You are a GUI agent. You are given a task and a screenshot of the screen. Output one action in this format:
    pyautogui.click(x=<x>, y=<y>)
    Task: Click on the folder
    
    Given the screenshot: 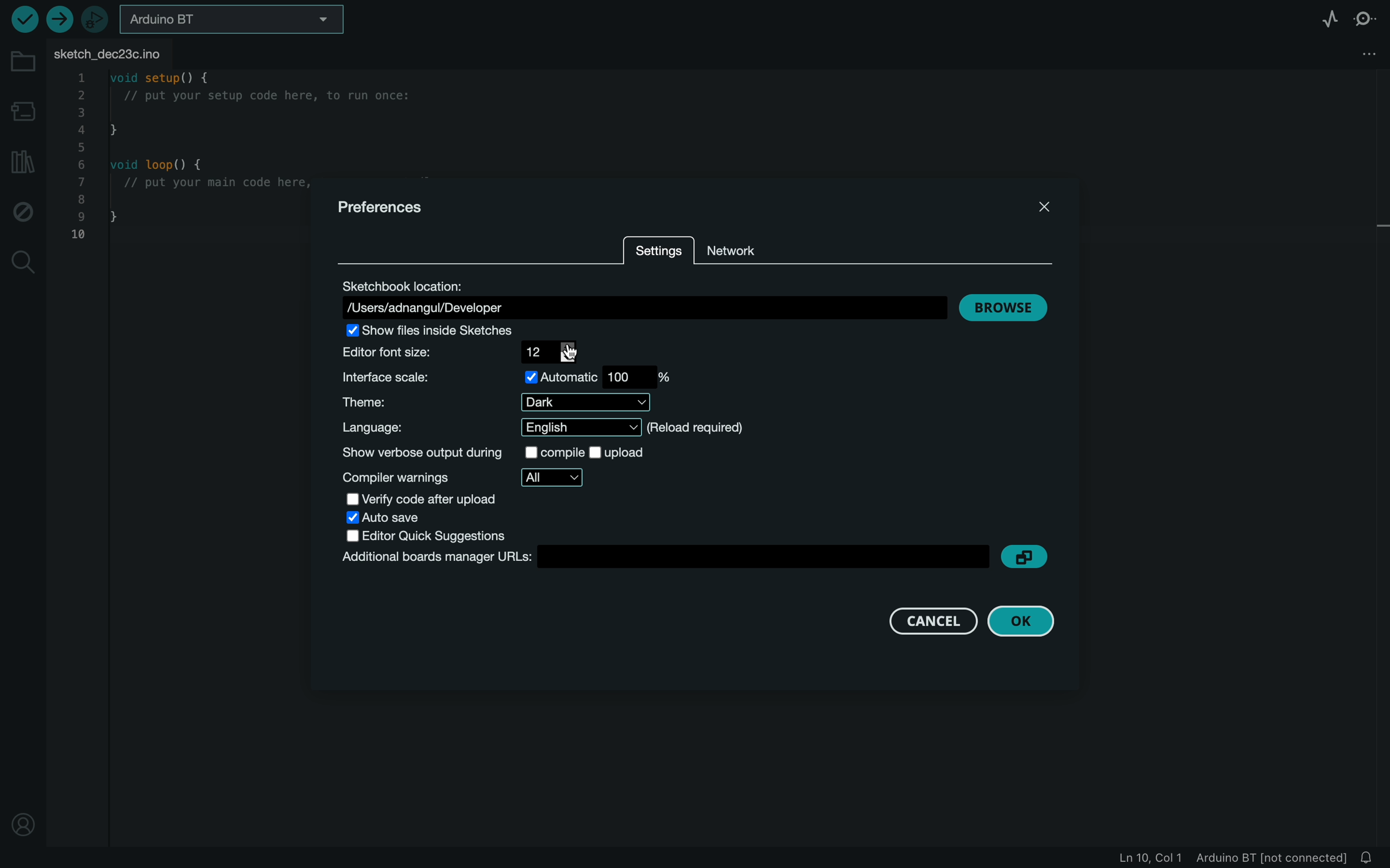 What is the action you would take?
    pyautogui.click(x=20, y=56)
    